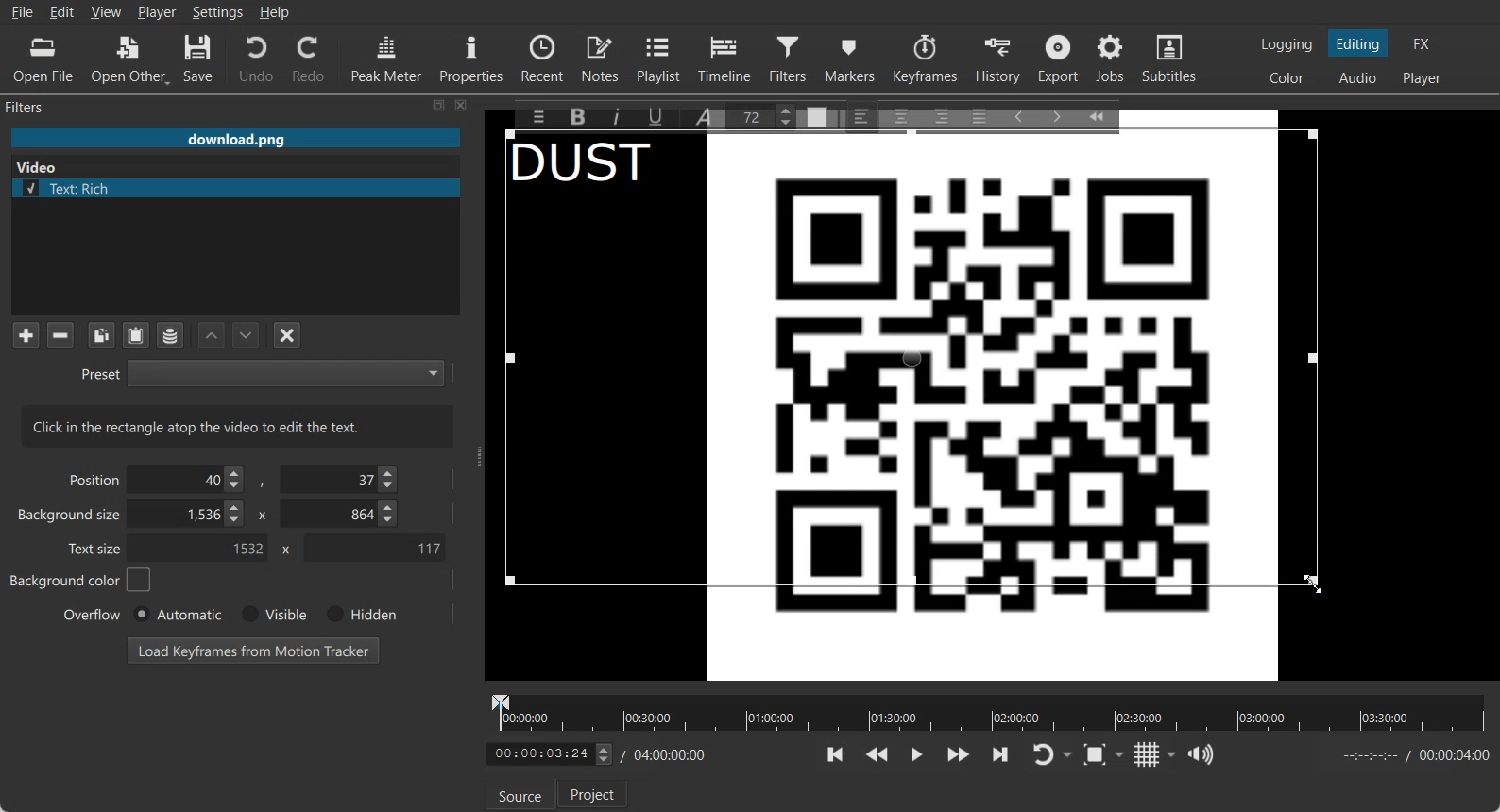 This screenshot has height=812, width=1500. I want to click on Text Size Y- Coordinate, so click(374, 547).